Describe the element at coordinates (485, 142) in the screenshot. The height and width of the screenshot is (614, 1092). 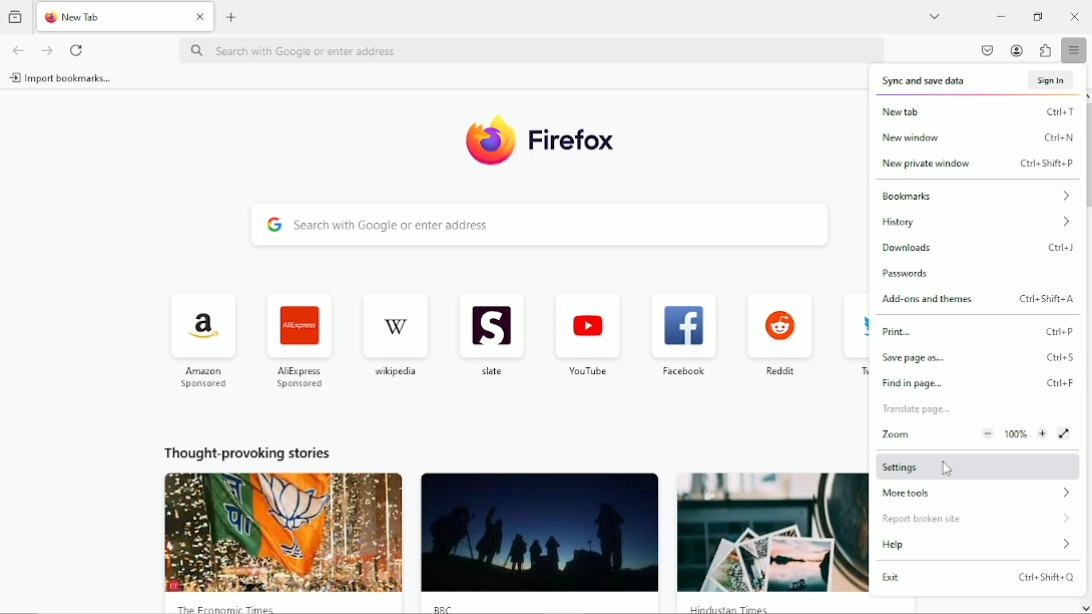
I see `logo` at that location.